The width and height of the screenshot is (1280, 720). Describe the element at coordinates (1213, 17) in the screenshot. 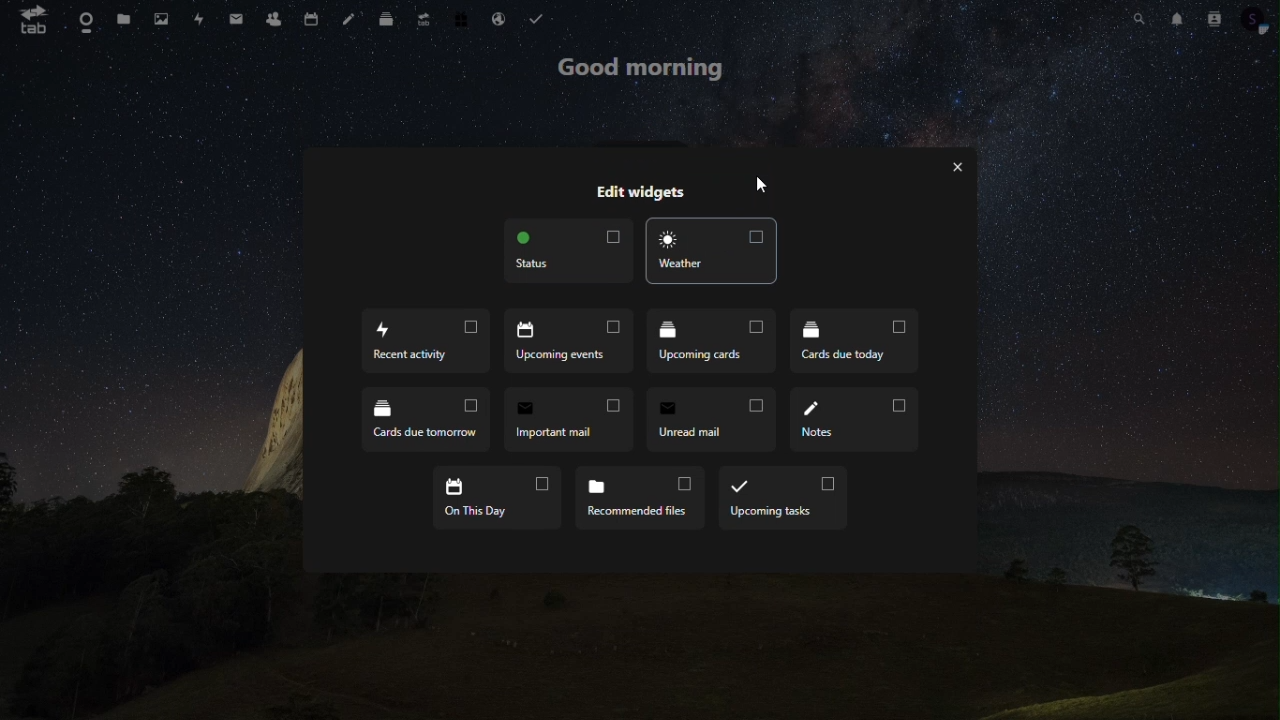

I see `contacts` at that location.